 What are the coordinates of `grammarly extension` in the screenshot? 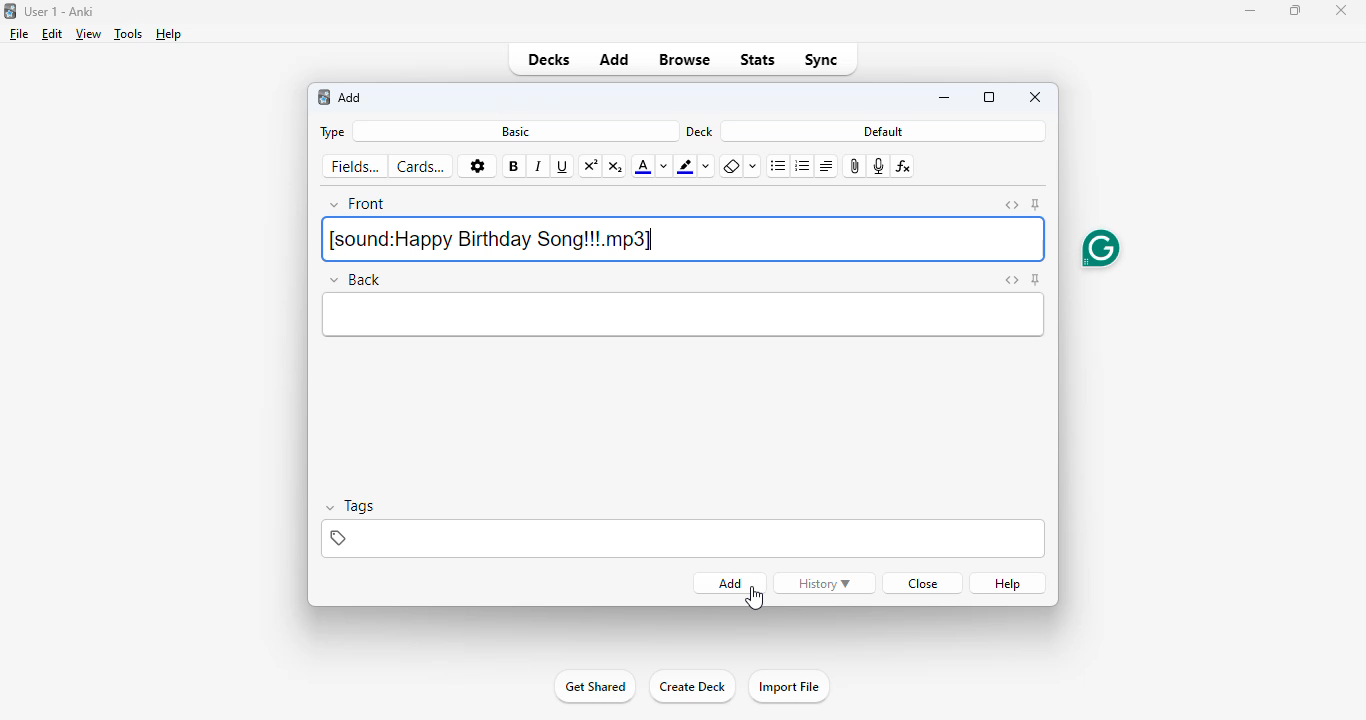 It's located at (1100, 247).